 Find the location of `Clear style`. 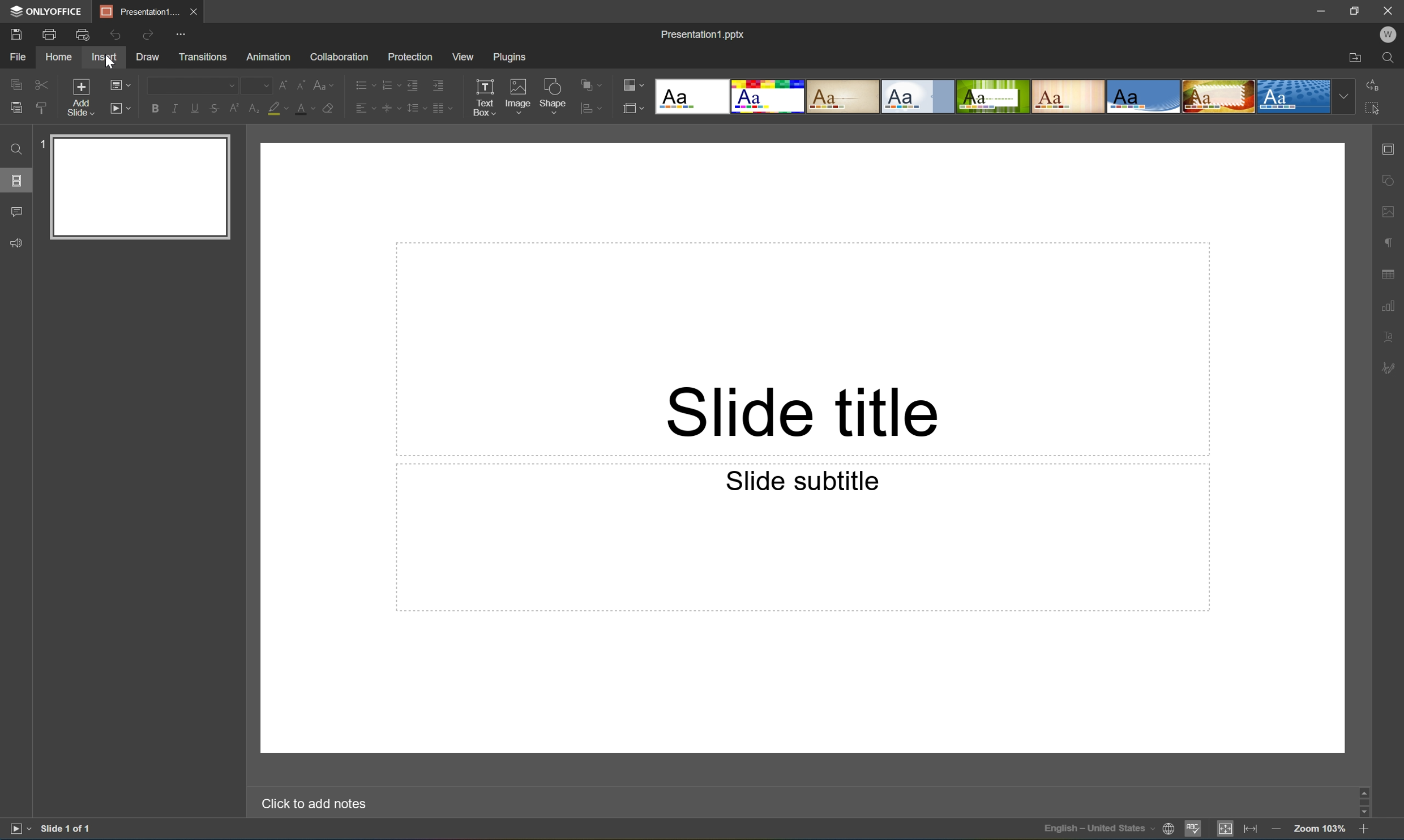

Clear style is located at coordinates (330, 108).